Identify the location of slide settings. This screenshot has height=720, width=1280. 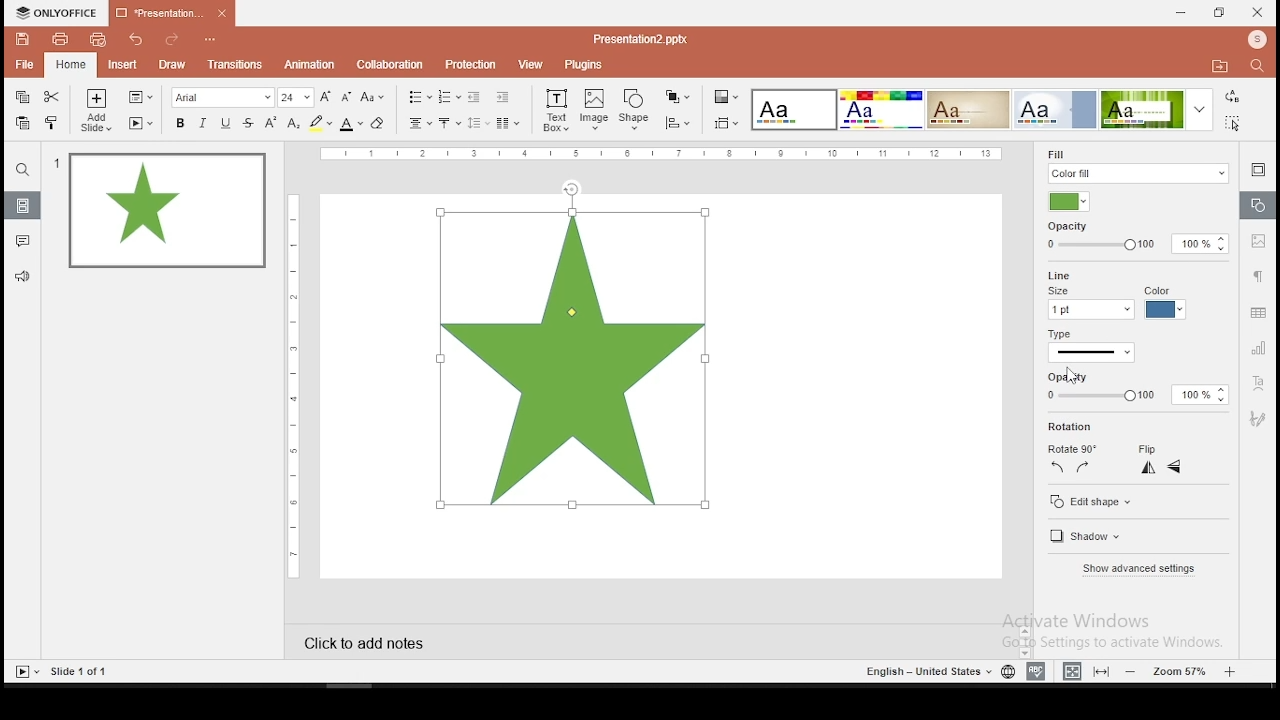
(1256, 170).